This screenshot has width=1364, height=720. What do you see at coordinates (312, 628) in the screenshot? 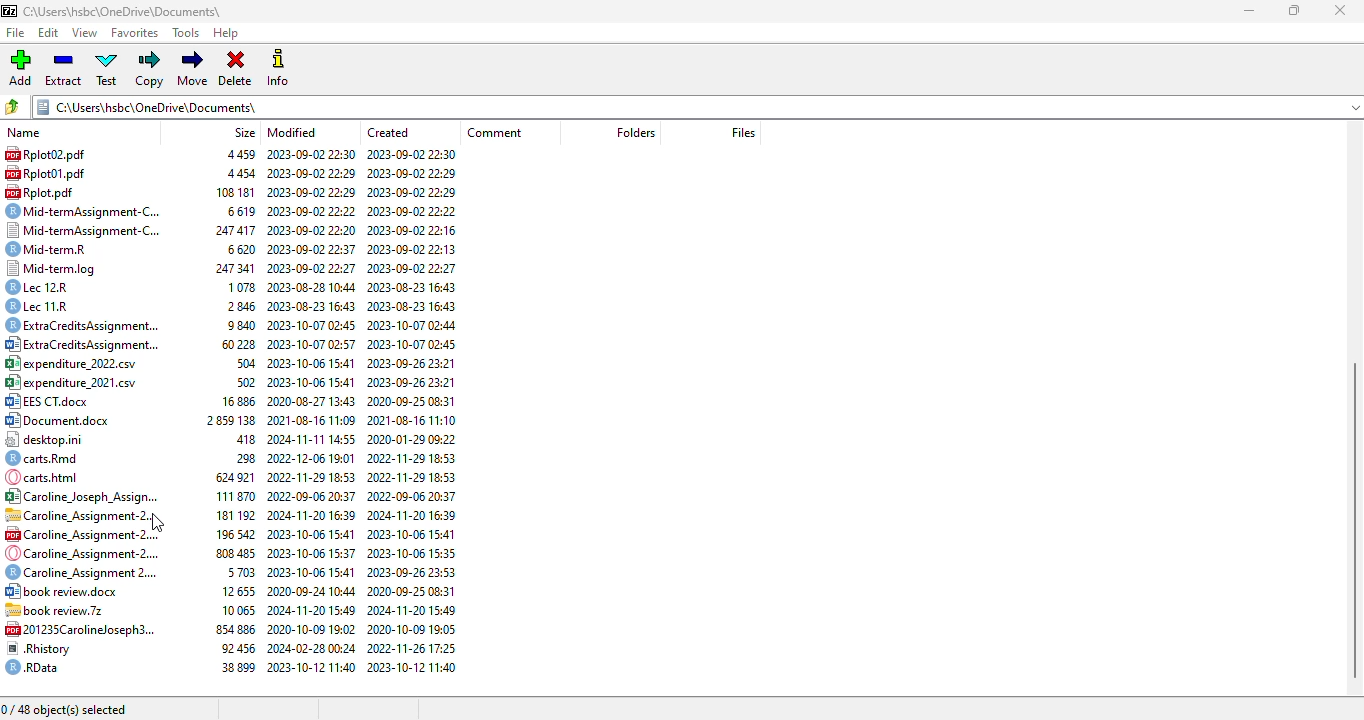
I see `2000-10-00 18-02` at bounding box center [312, 628].